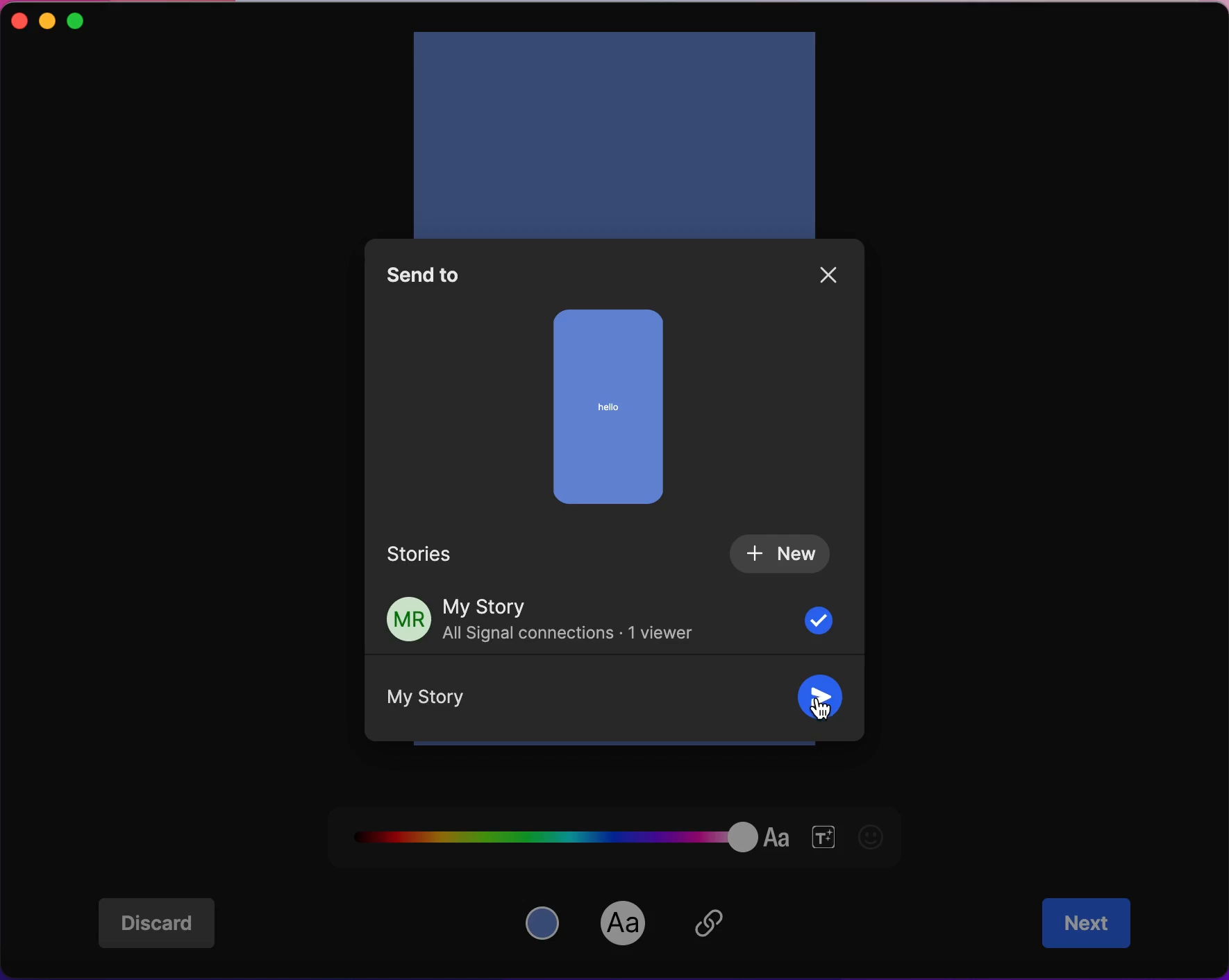 The height and width of the screenshot is (980, 1229). What do you see at coordinates (859, 479) in the screenshot?
I see `vertical scroll bar` at bounding box center [859, 479].